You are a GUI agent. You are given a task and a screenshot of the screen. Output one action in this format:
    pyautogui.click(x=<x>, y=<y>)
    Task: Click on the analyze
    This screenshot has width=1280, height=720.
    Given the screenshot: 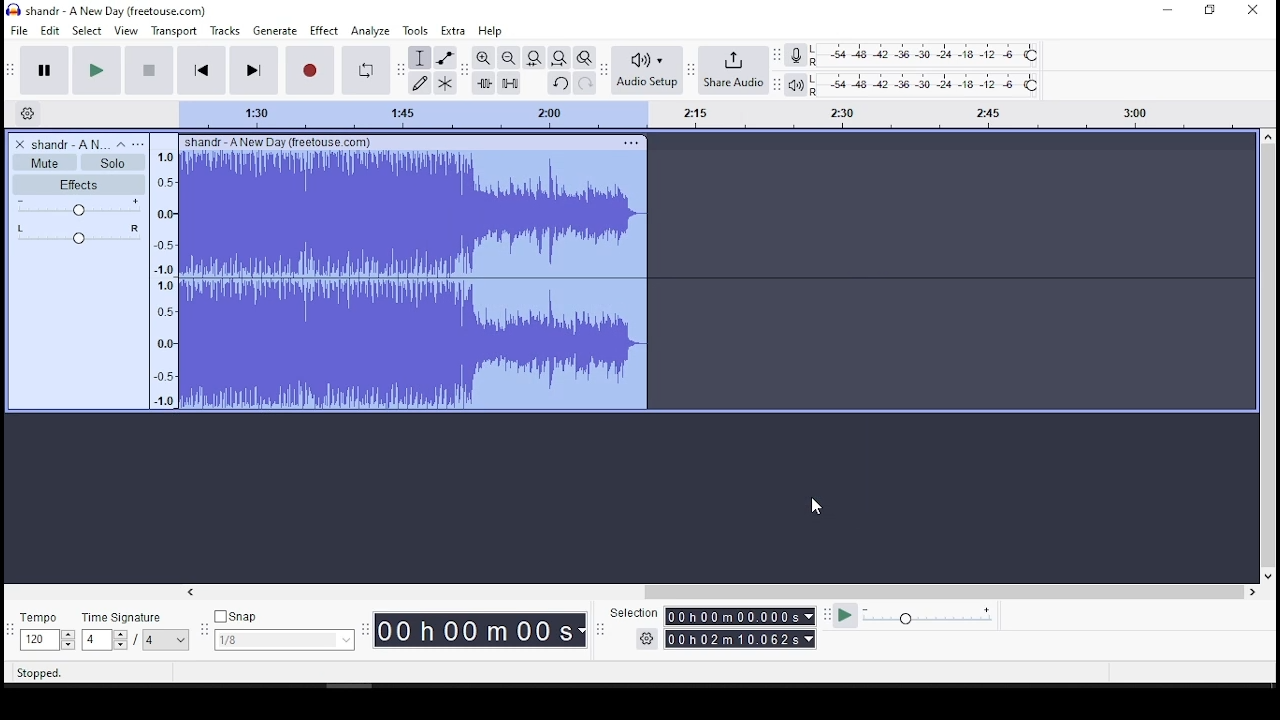 What is the action you would take?
    pyautogui.click(x=371, y=30)
    